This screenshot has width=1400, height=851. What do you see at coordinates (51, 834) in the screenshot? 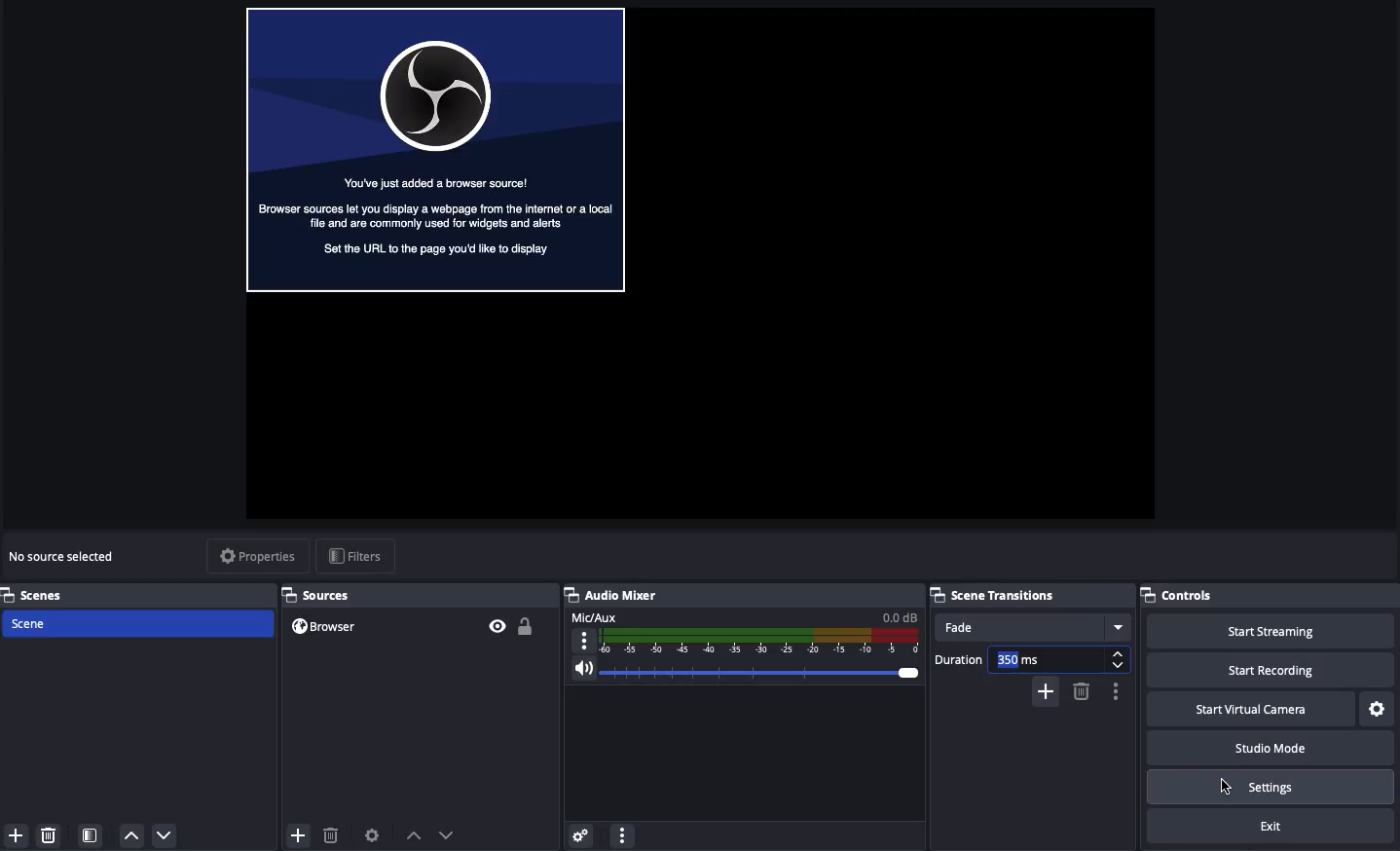
I see `Delete` at bounding box center [51, 834].